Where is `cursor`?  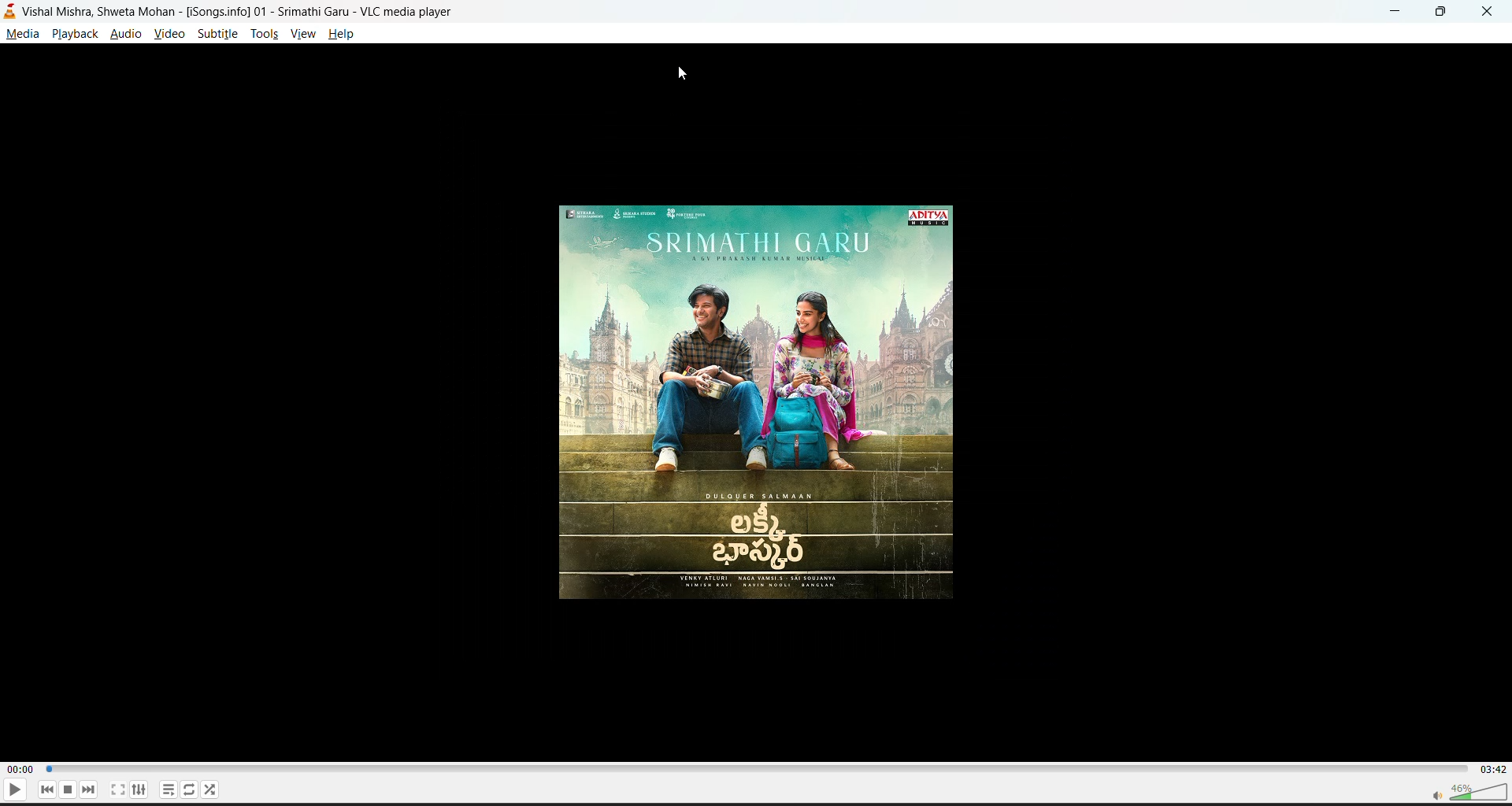 cursor is located at coordinates (685, 74).